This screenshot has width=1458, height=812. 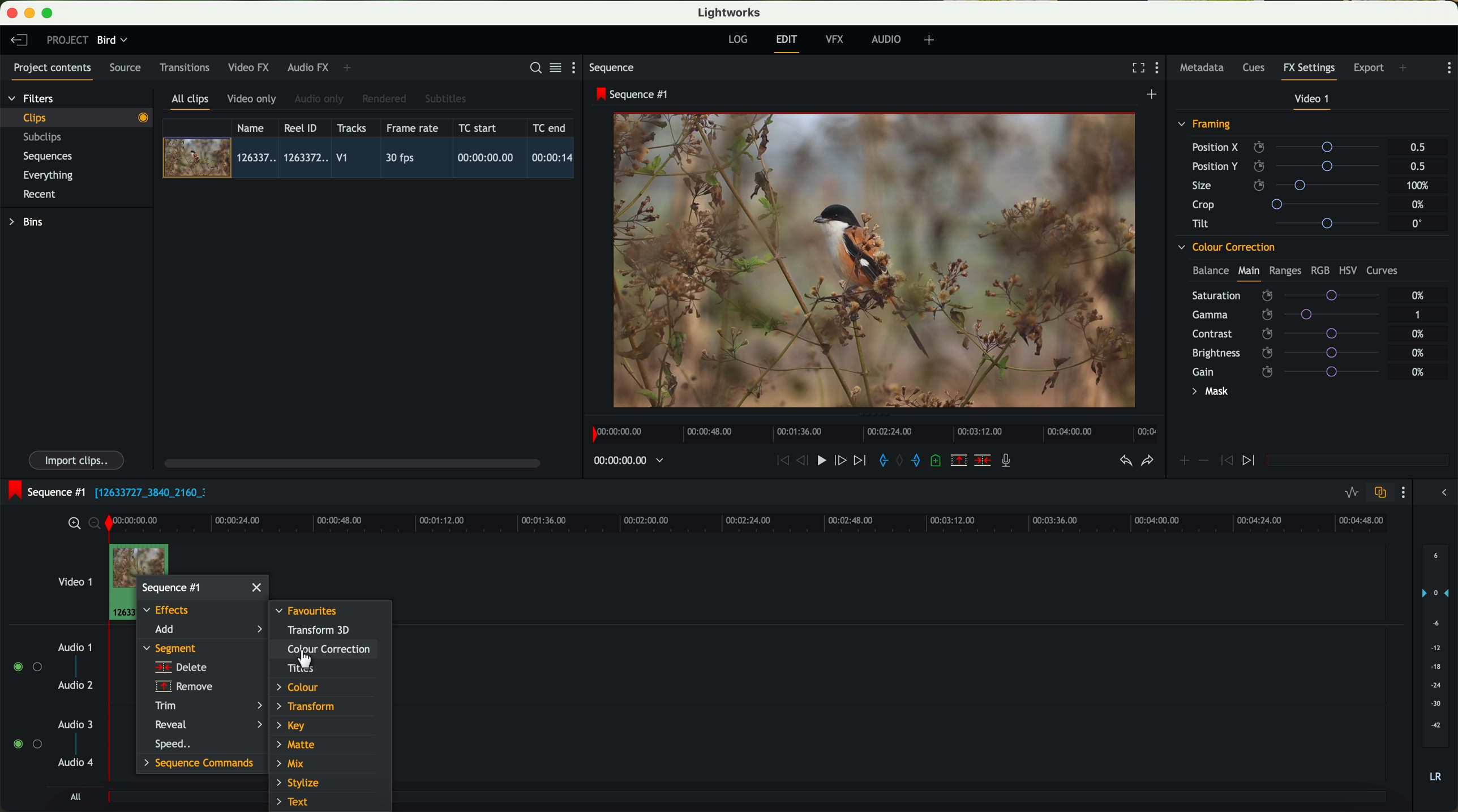 What do you see at coordinates (960, 461) in the screenshot?
I see `remove the marked section` at bounding box center [960, 461].